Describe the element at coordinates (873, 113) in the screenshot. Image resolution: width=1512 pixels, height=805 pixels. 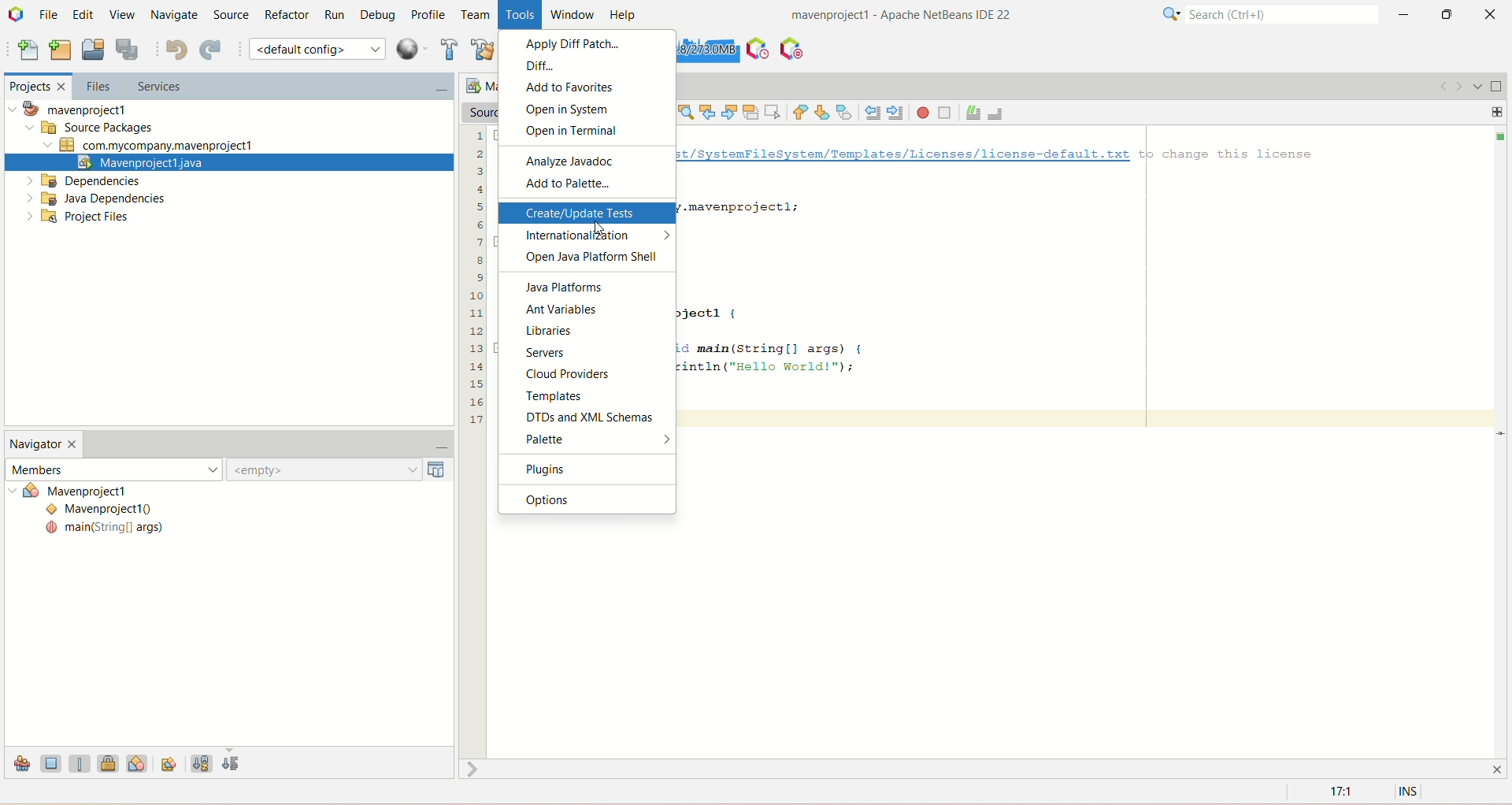
I see `shift line left` at that location.